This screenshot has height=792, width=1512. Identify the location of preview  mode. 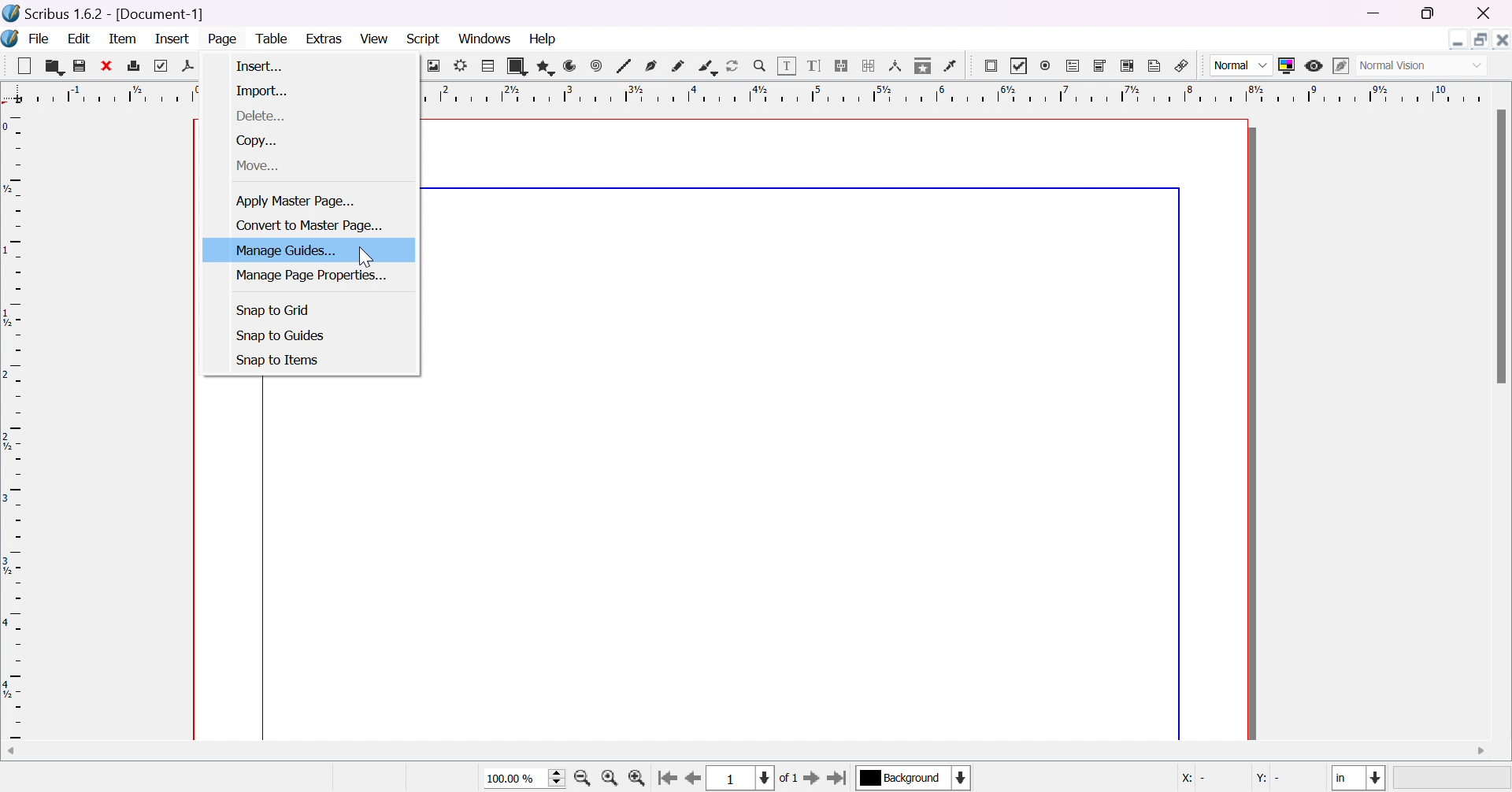
(1314, 66).